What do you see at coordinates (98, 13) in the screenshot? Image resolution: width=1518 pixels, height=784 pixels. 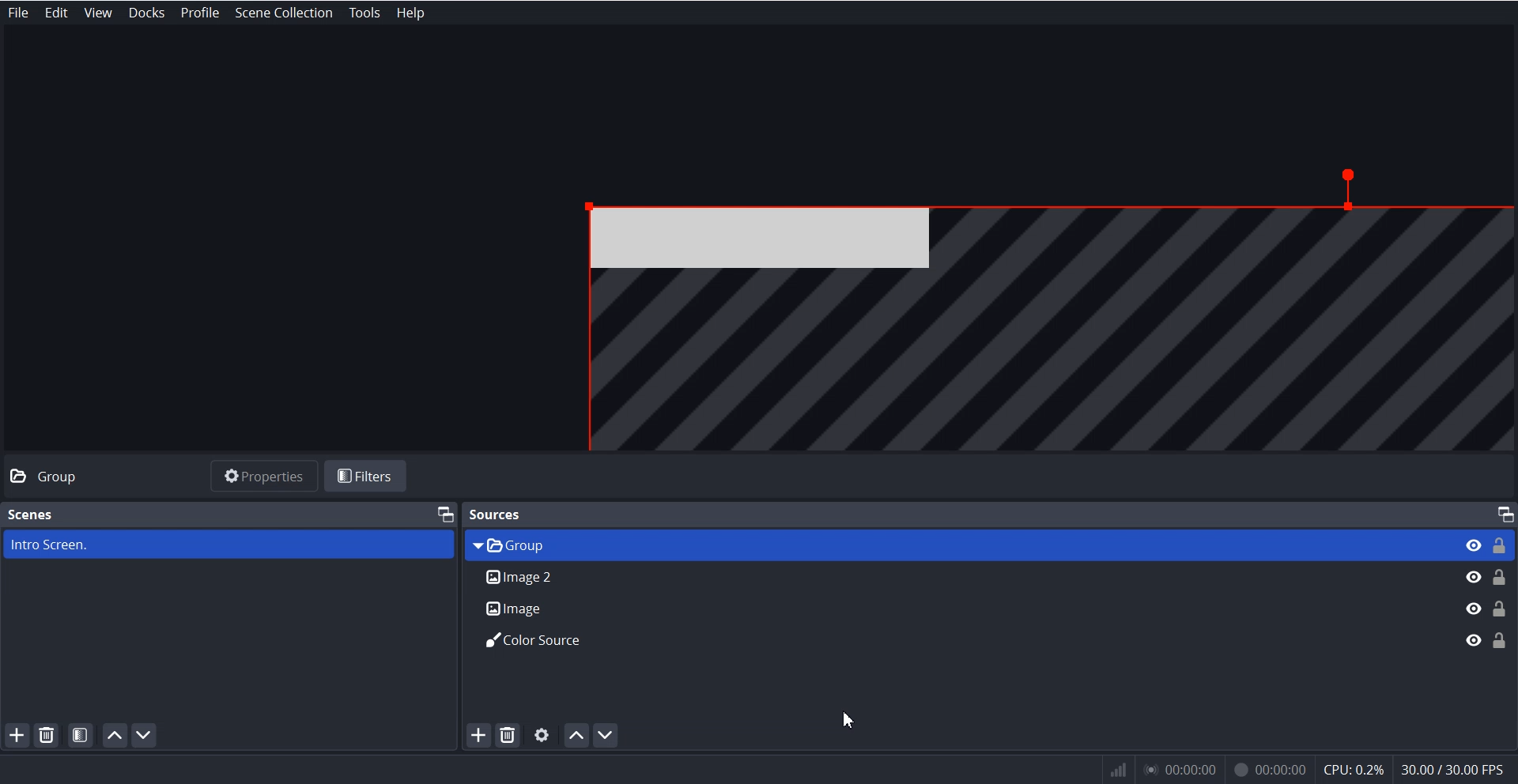 I see `View` at bounding box center [98, 13].